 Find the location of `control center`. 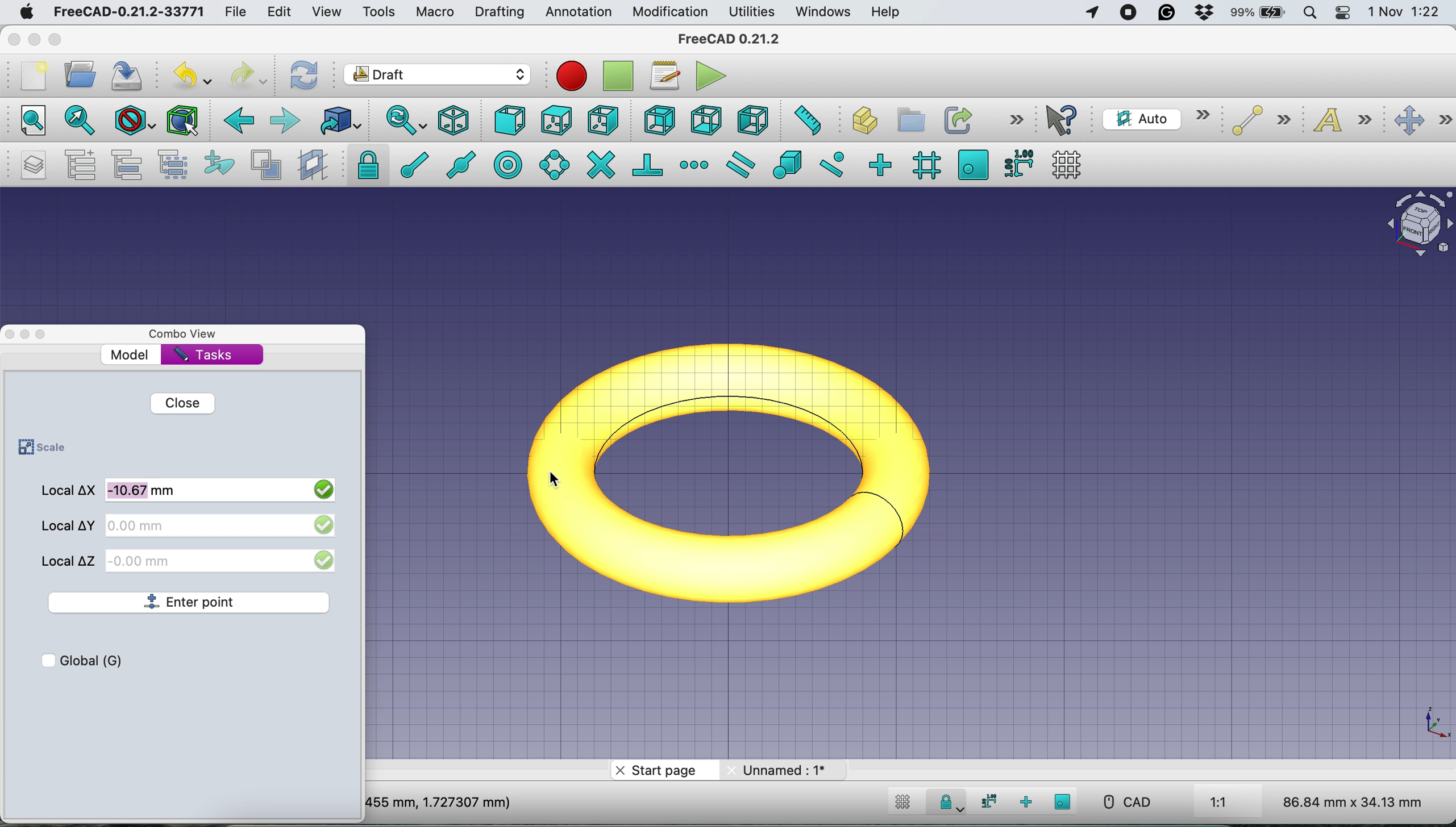

control center is located at coordinates (1342, 14).